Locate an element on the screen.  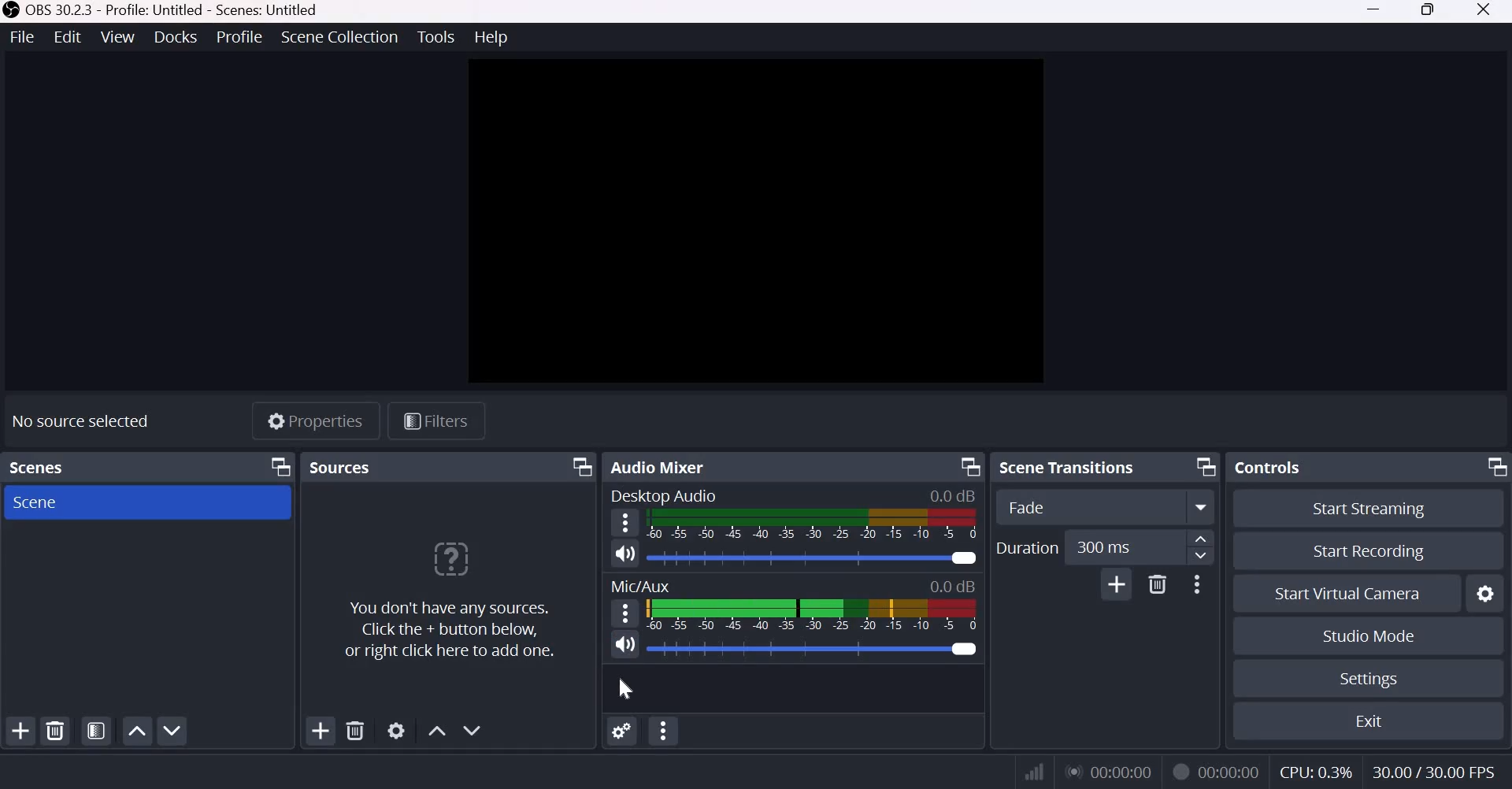
advanced audio properties is located at coordinates (665, 731).